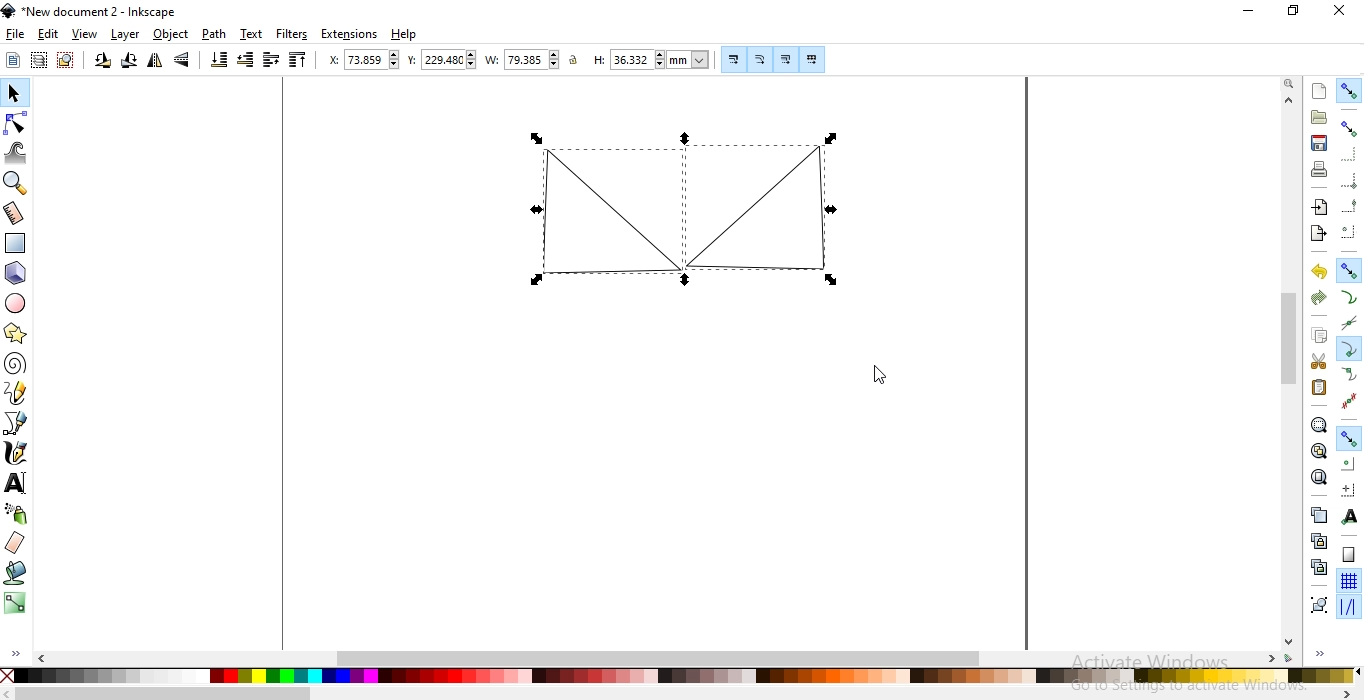 This screenshot has width=1364, height=700. Describe the element at coordinates (365, 59) in the screenshot. I see `horizontal coordinate of selection` at that location.